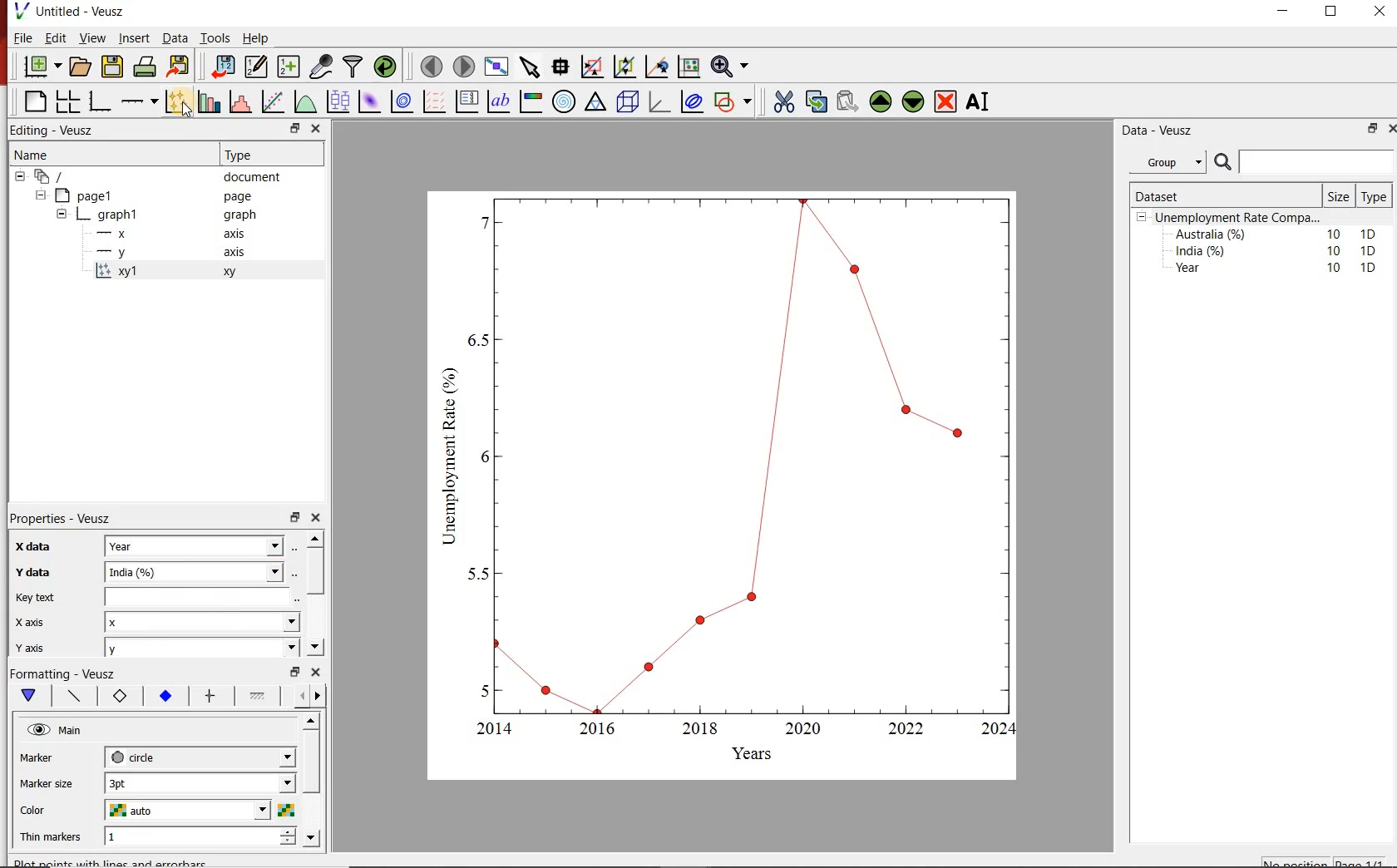 Image resolution: width=1397 pixels, height=868 pixels. I want to click on minimise, so click(1287, 15).